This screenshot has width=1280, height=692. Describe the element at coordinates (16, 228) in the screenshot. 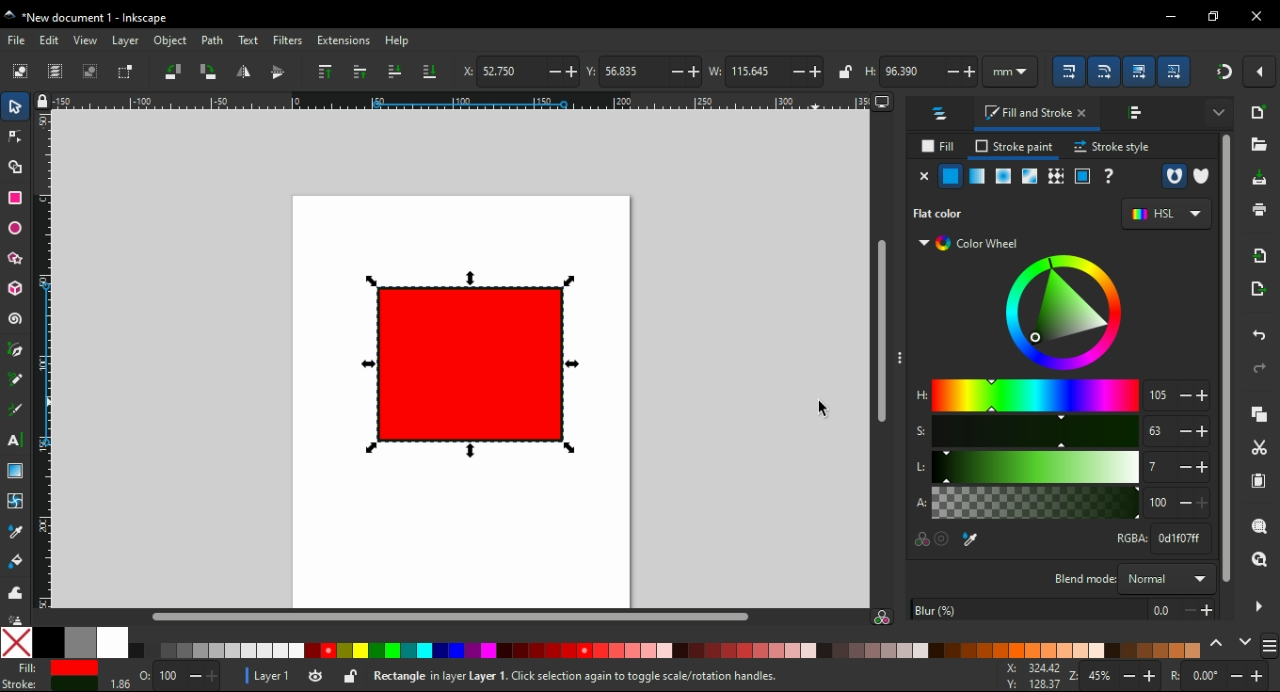

I see `ellipse/arc tool` at that location.